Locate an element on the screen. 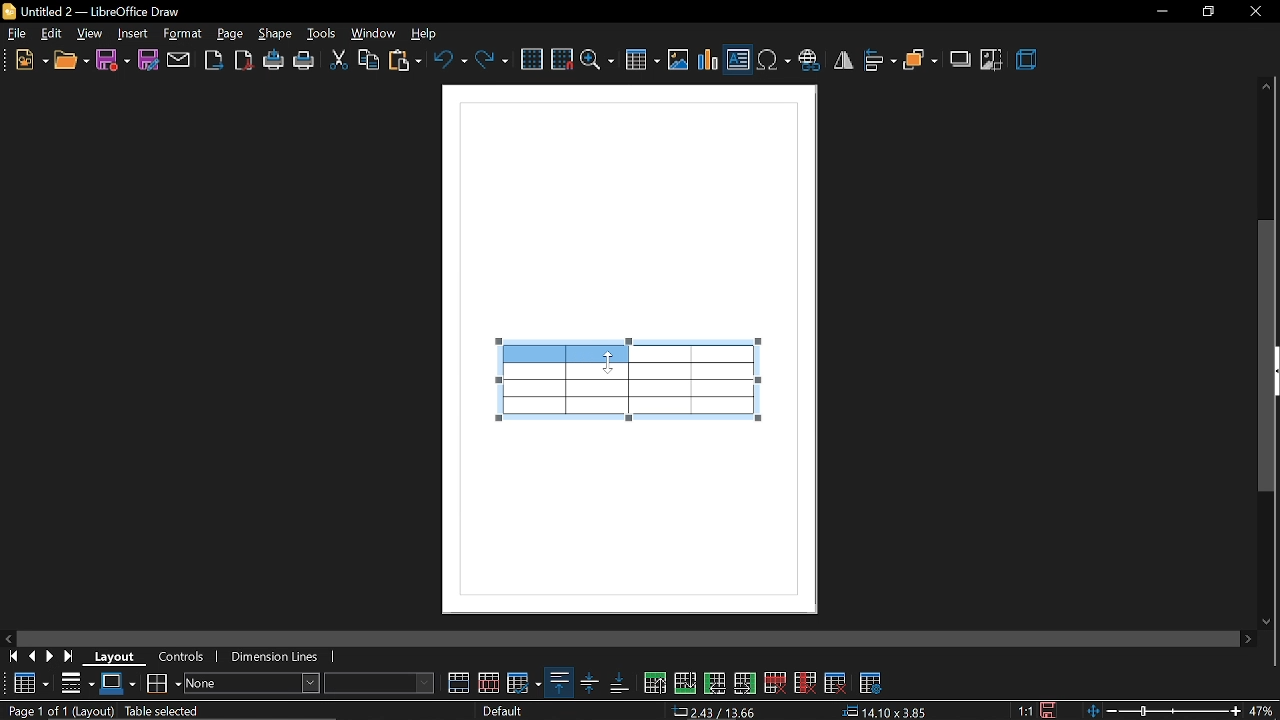 This screenshot has width=1280, height=720. Default is located at coordinates (506, 711).